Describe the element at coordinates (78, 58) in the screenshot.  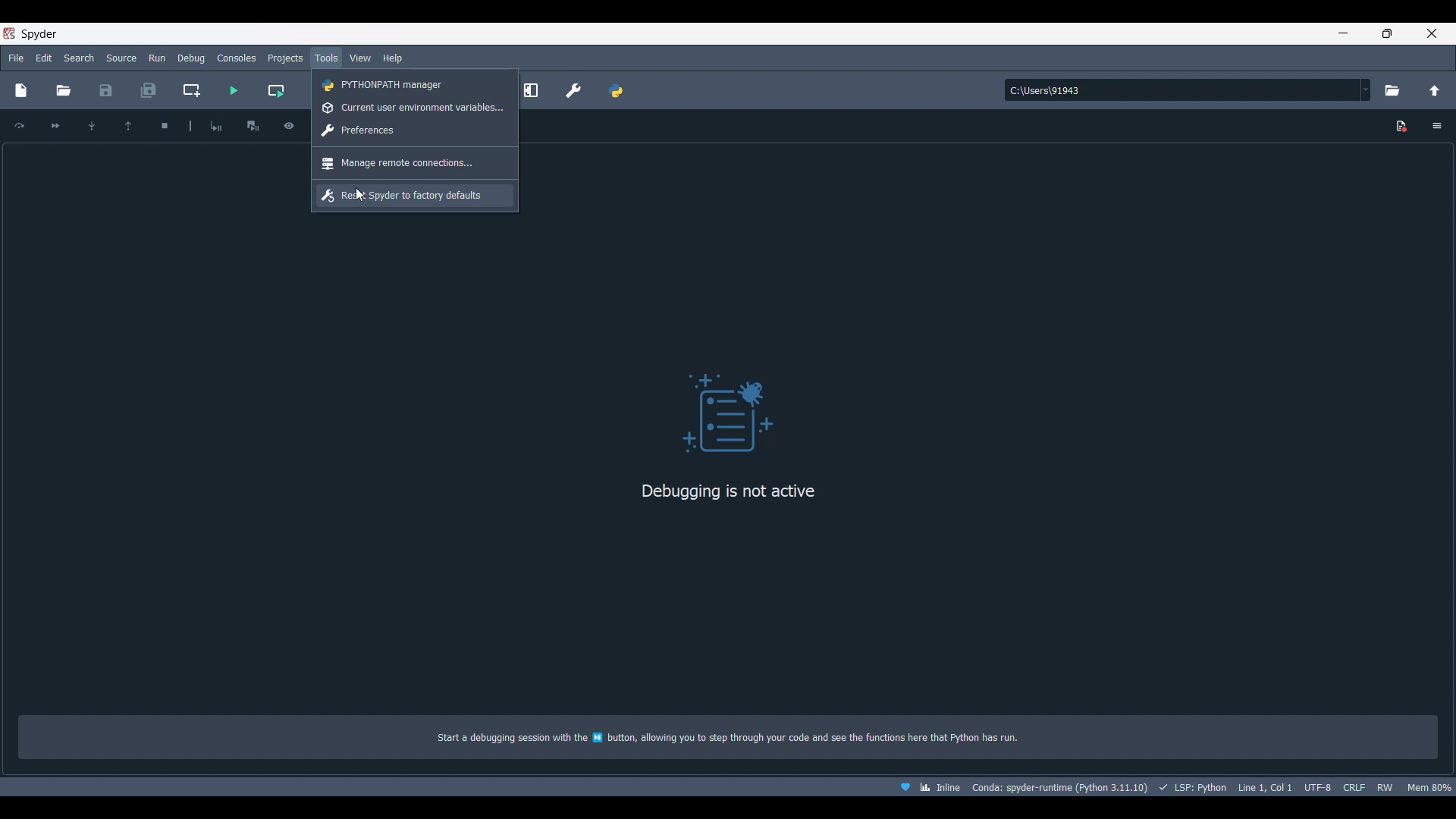
I see `Search menu` at that location.